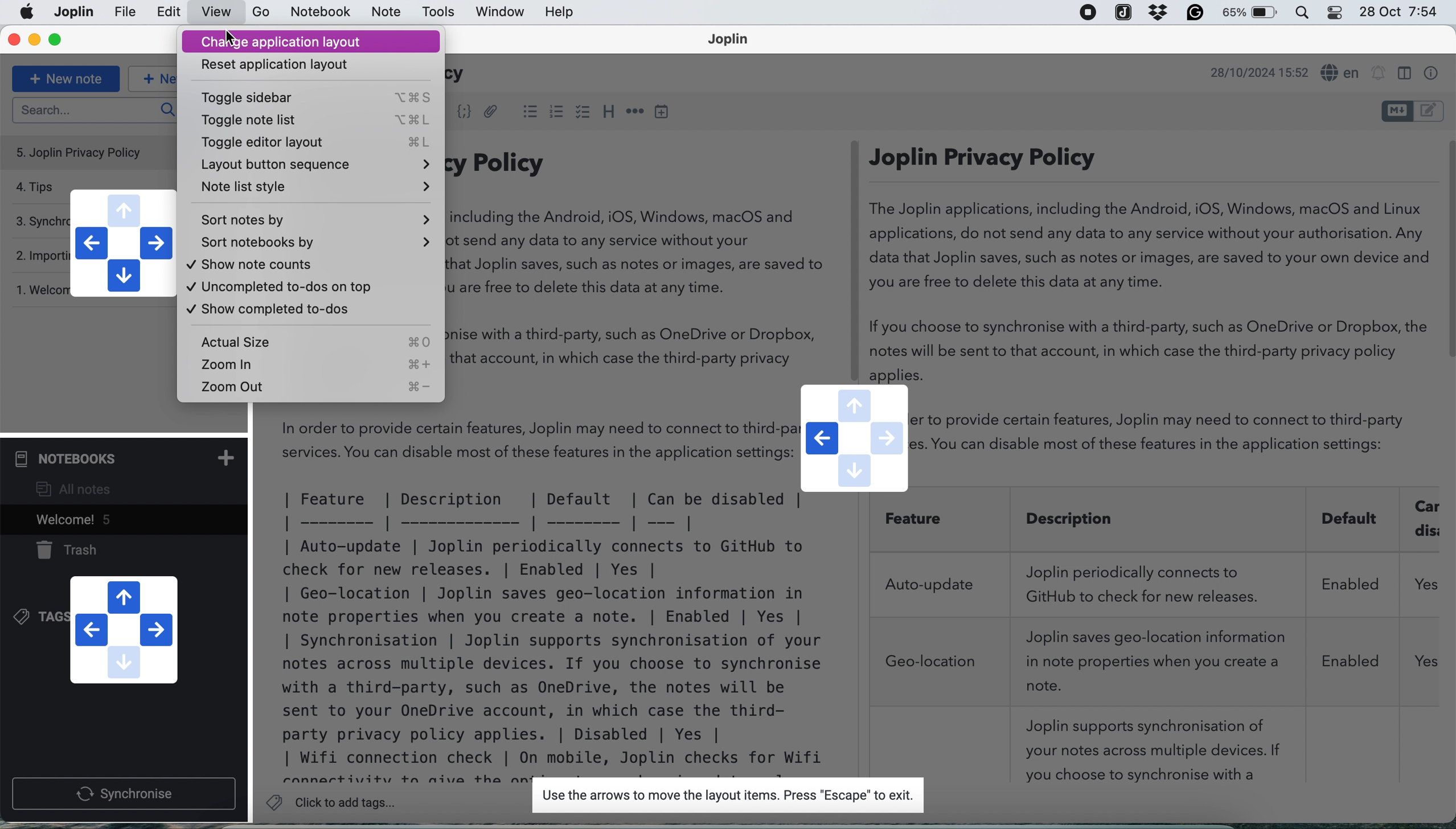 The width and height of the screenshot is (1456, 829). Describe the element at coordinates (854, 439) in the screenshot. I see `navigation buttons` at that location.